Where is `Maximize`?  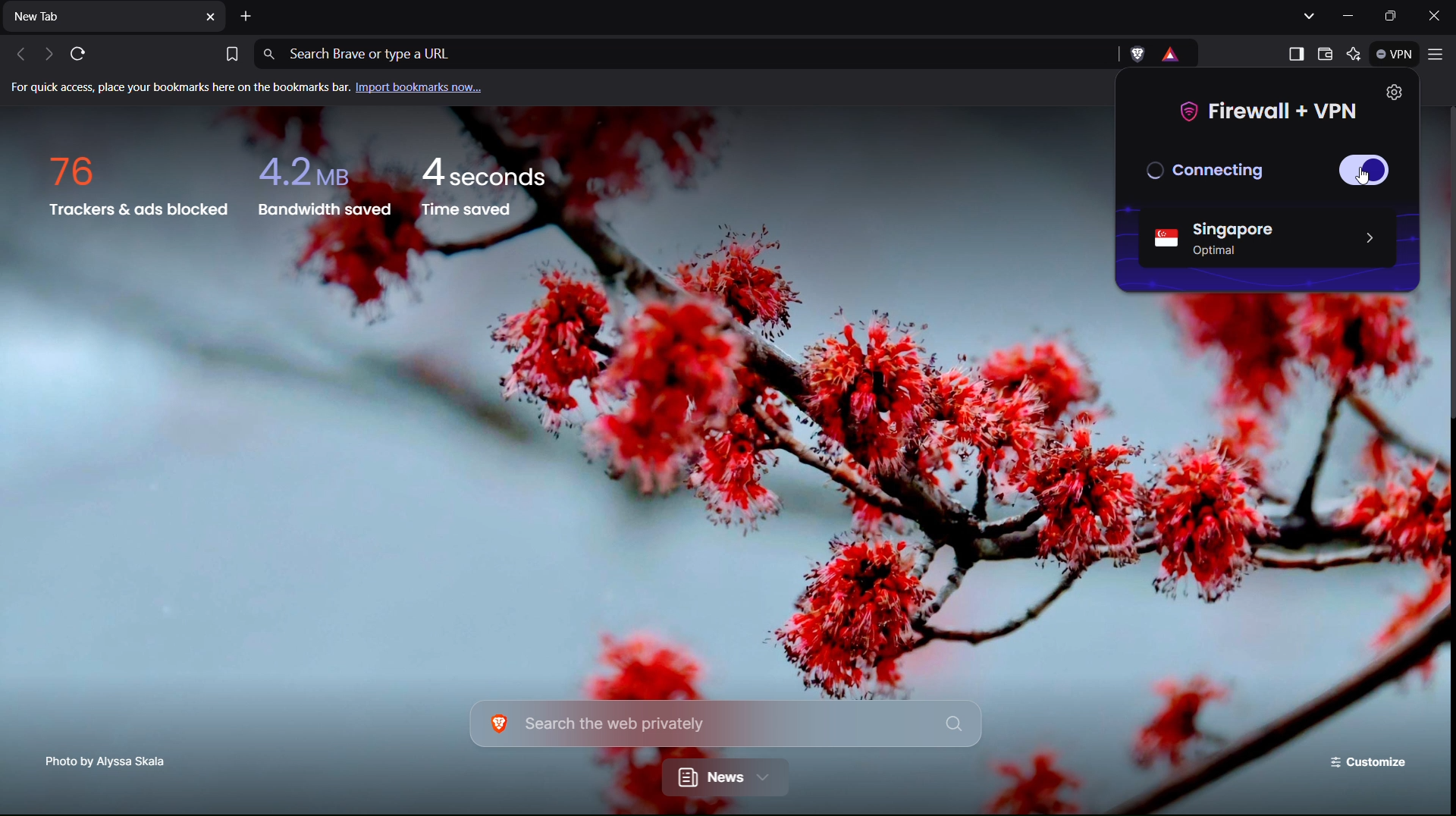 Maximize is located at coordinates (1396, 17).